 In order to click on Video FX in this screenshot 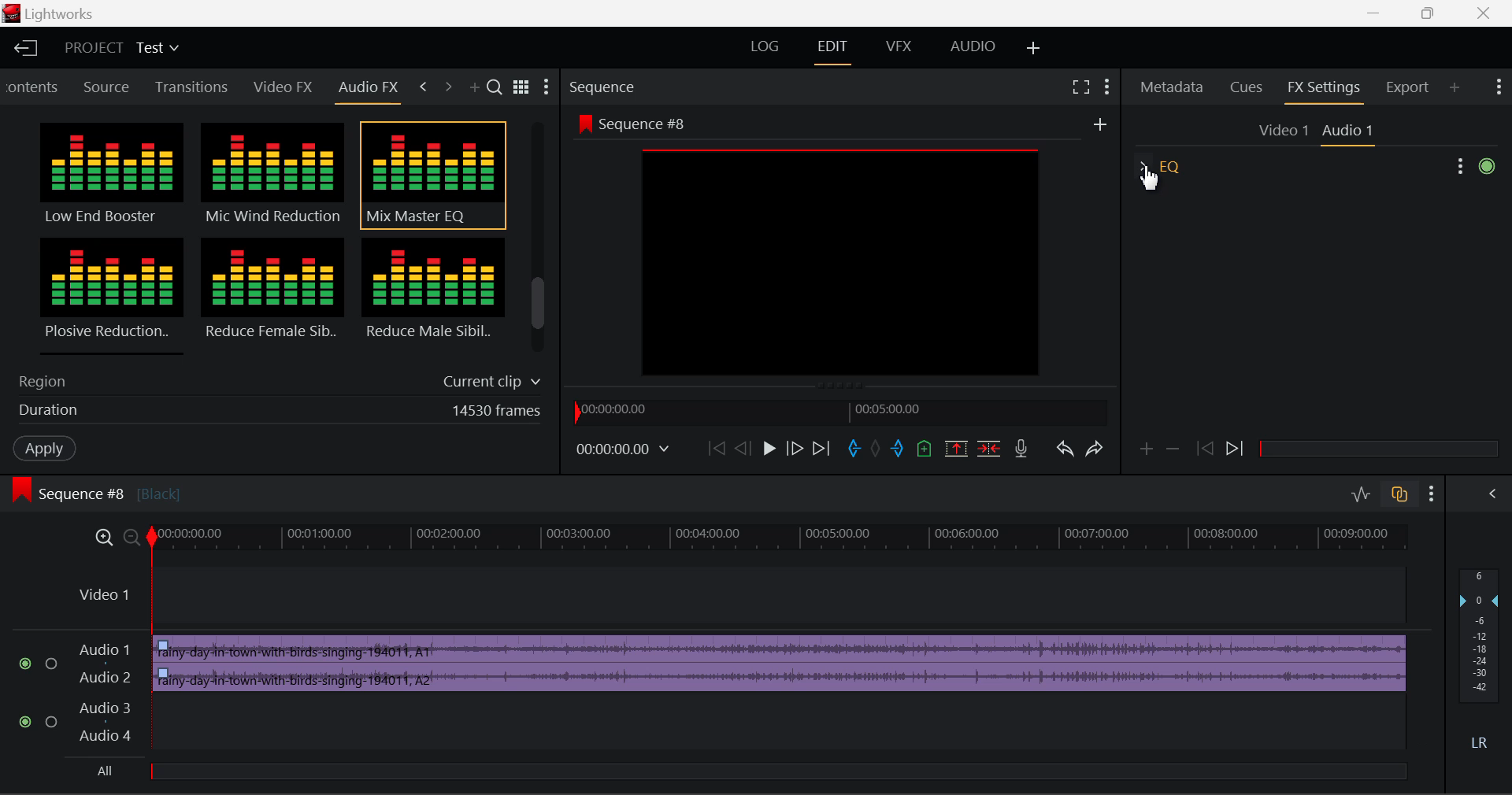, I will do `click(279, 88)`.